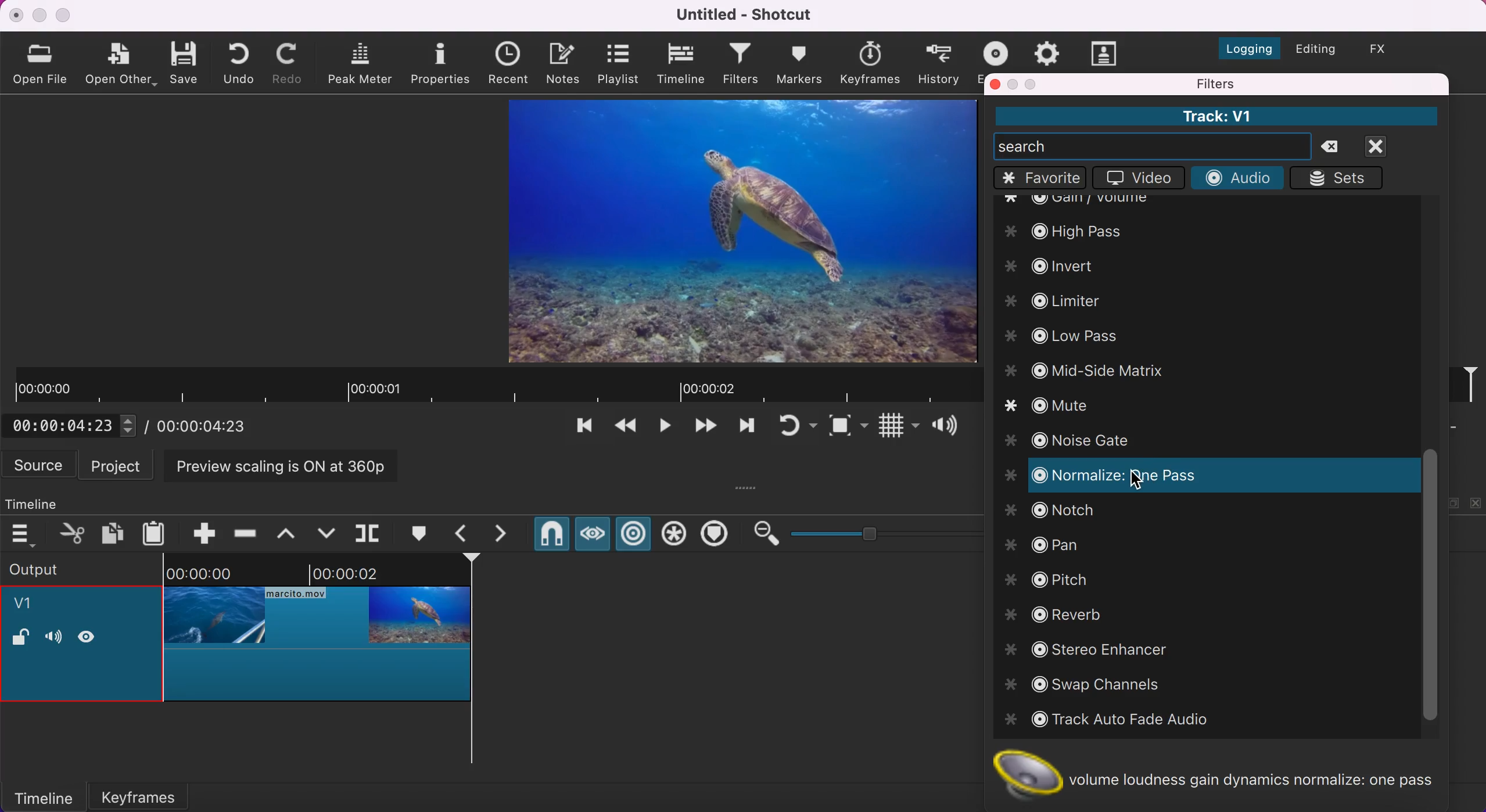  I want to click on timeline, so click(683, 64).